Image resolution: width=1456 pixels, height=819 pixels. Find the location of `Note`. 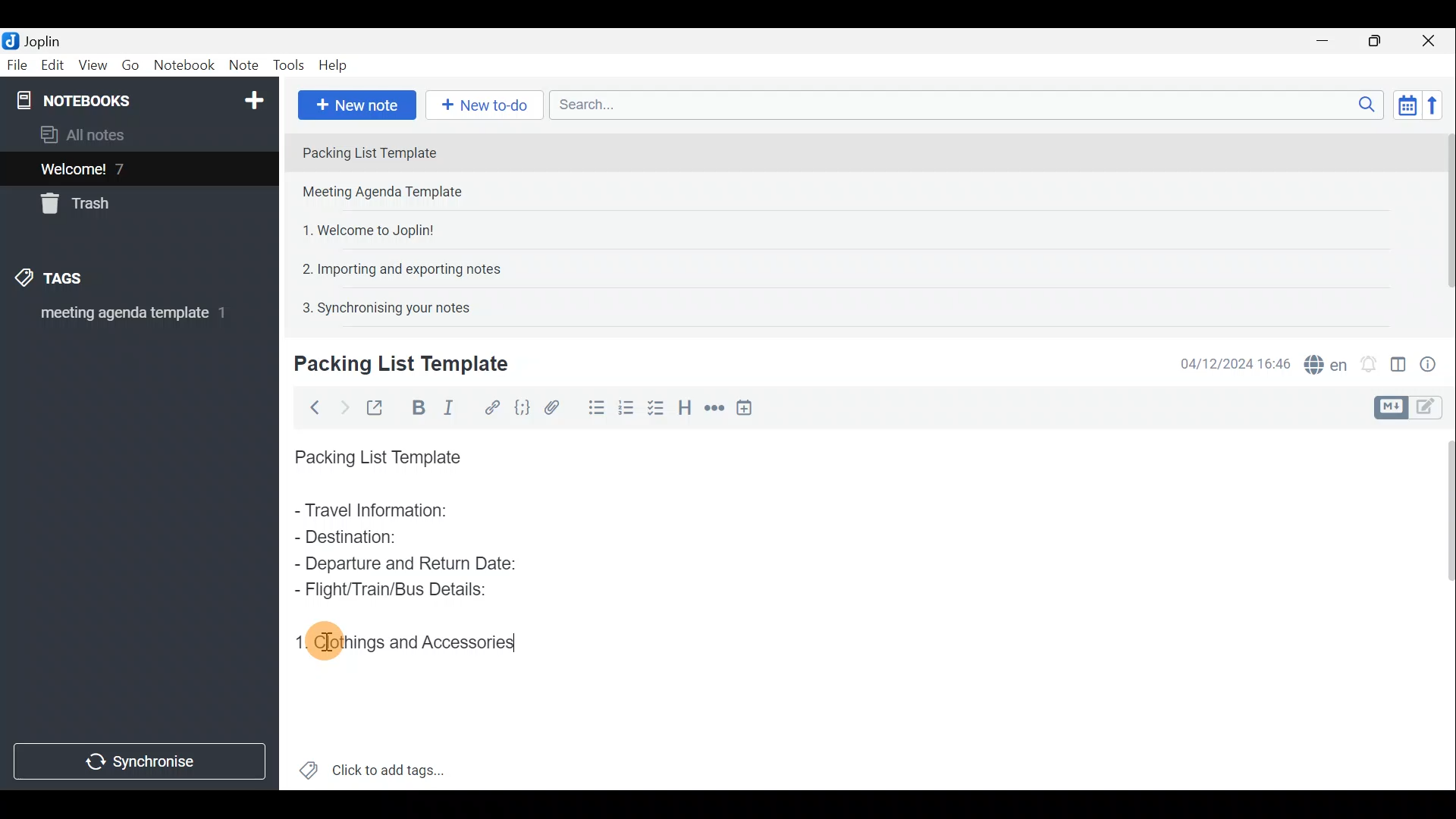

Note is located at coordinates (243, 66).